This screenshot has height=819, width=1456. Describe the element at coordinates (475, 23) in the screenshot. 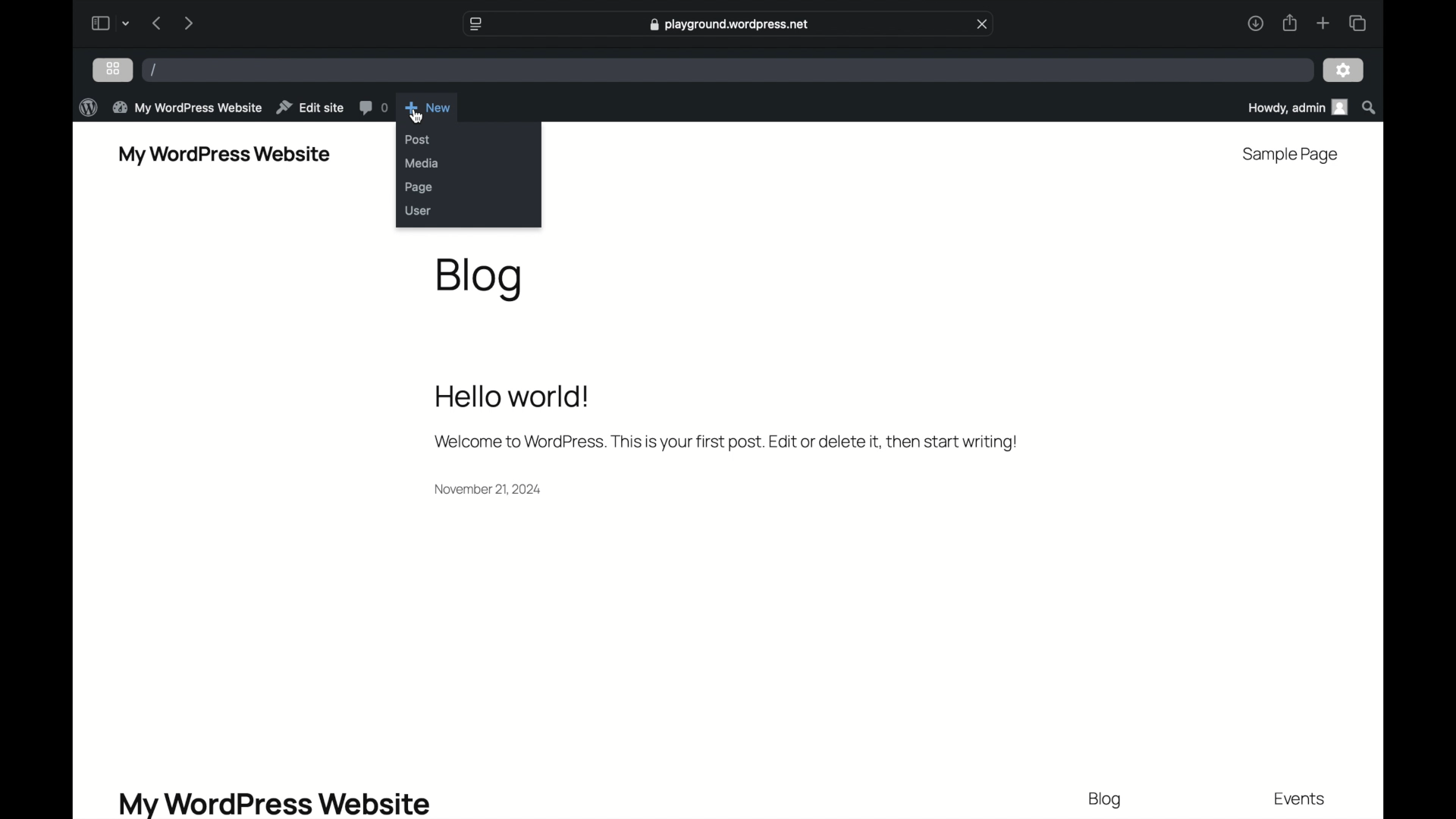

I see `website settings` at that location.